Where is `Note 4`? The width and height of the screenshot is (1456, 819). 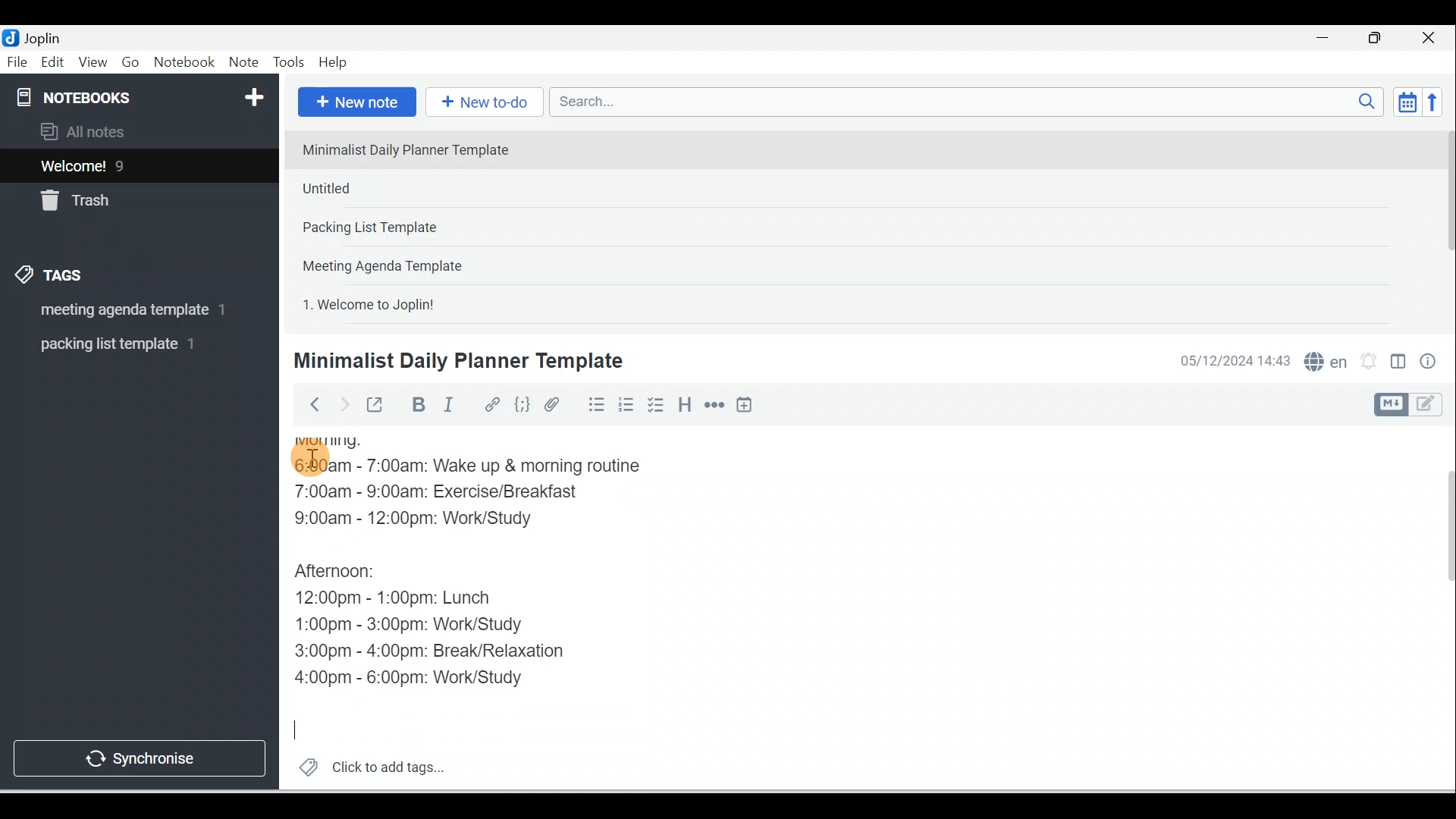
Note 4 is located at coordinates (403, 262).